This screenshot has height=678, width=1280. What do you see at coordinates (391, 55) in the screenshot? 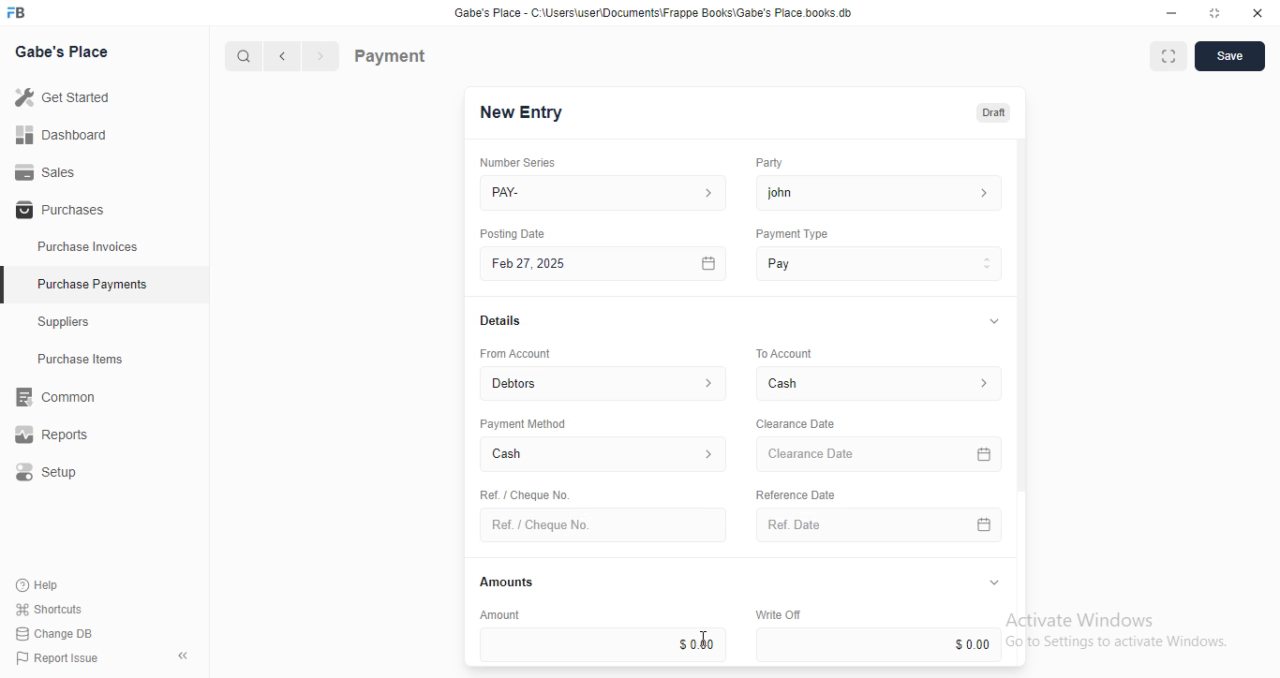
I see `Payment` at bounding box center [391, 55].